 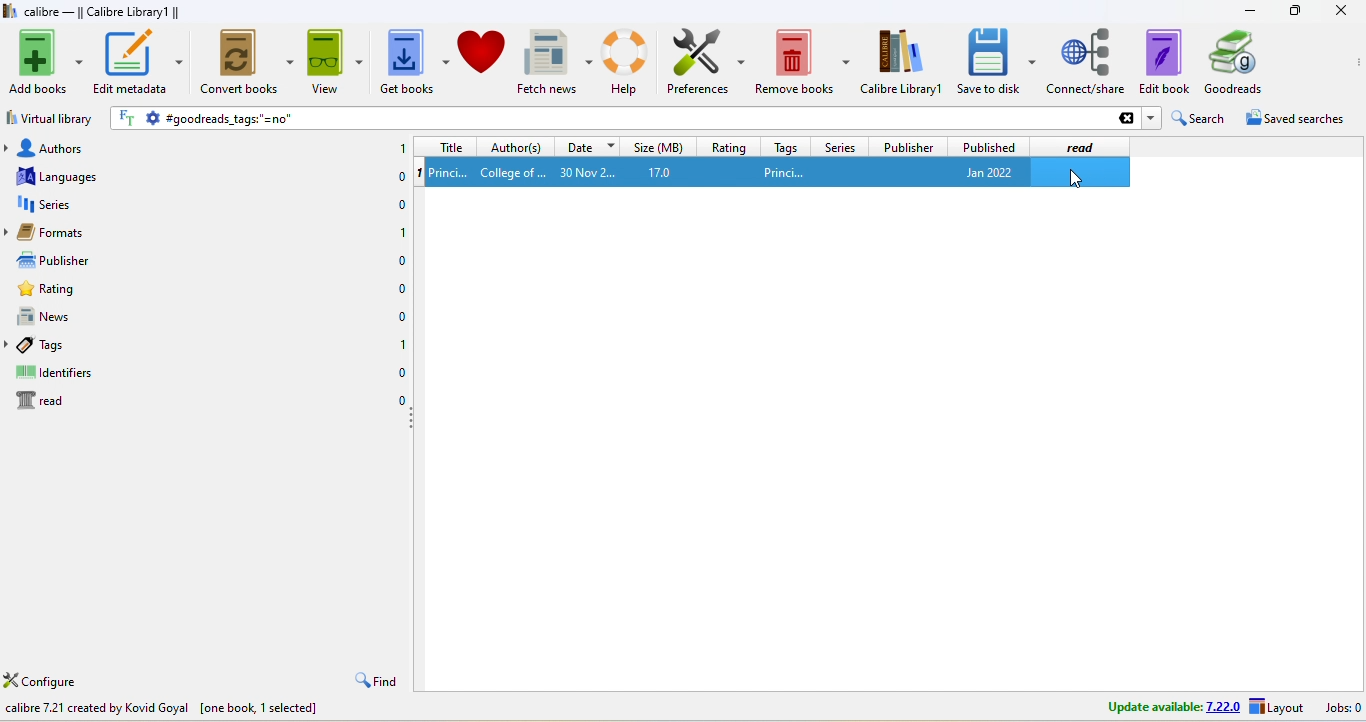 What do you see at coordinates (53, 679) in the screenshot?
I see `configure` at bounding box center [53, 679].